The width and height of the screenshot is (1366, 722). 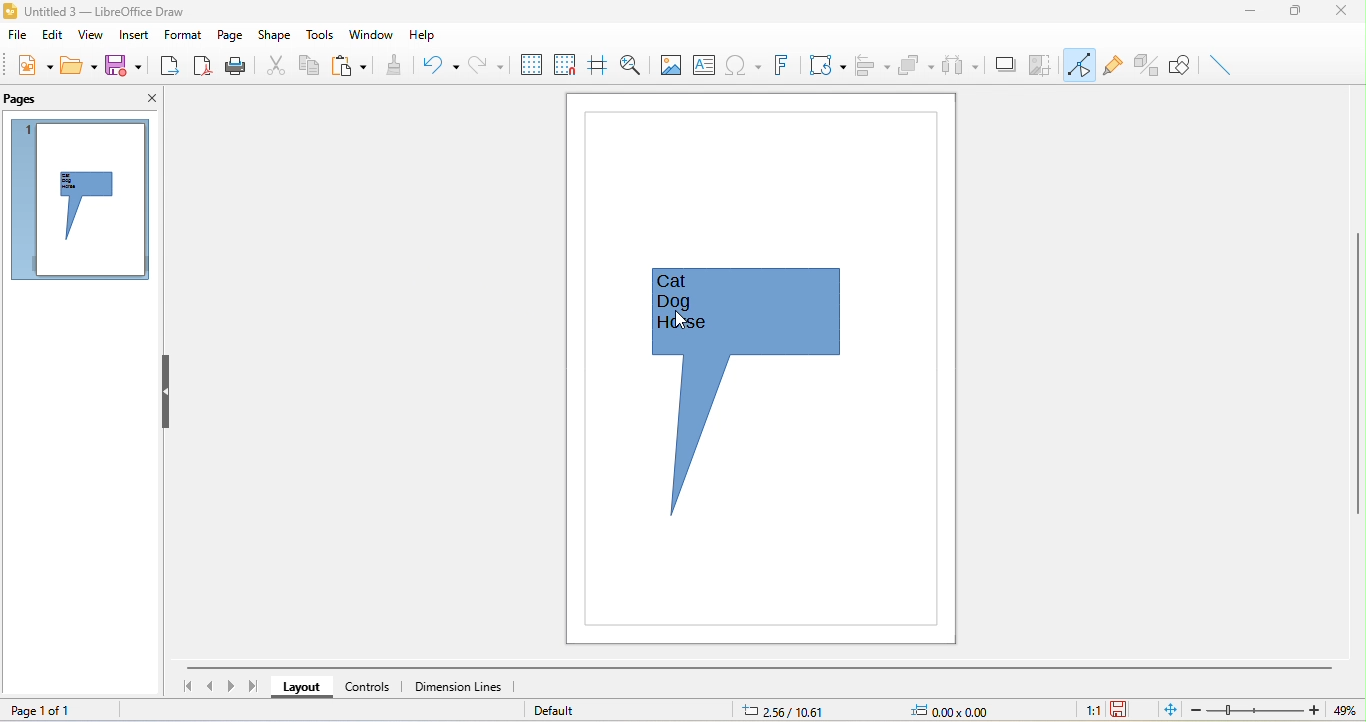 I want to click on paste, so click(x=349, y=66).